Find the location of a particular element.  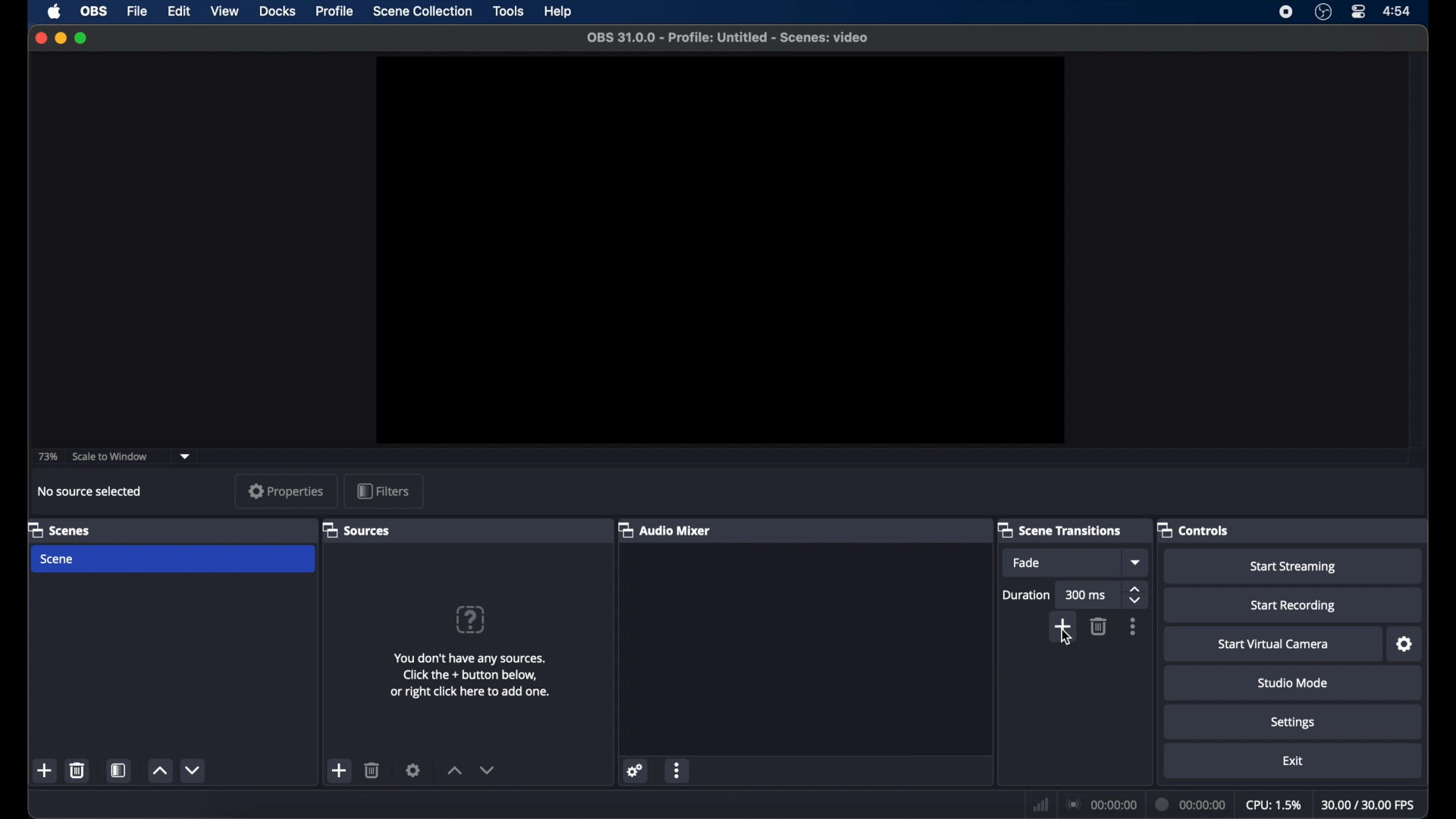

dropdown is located at coordinates (187, 455).